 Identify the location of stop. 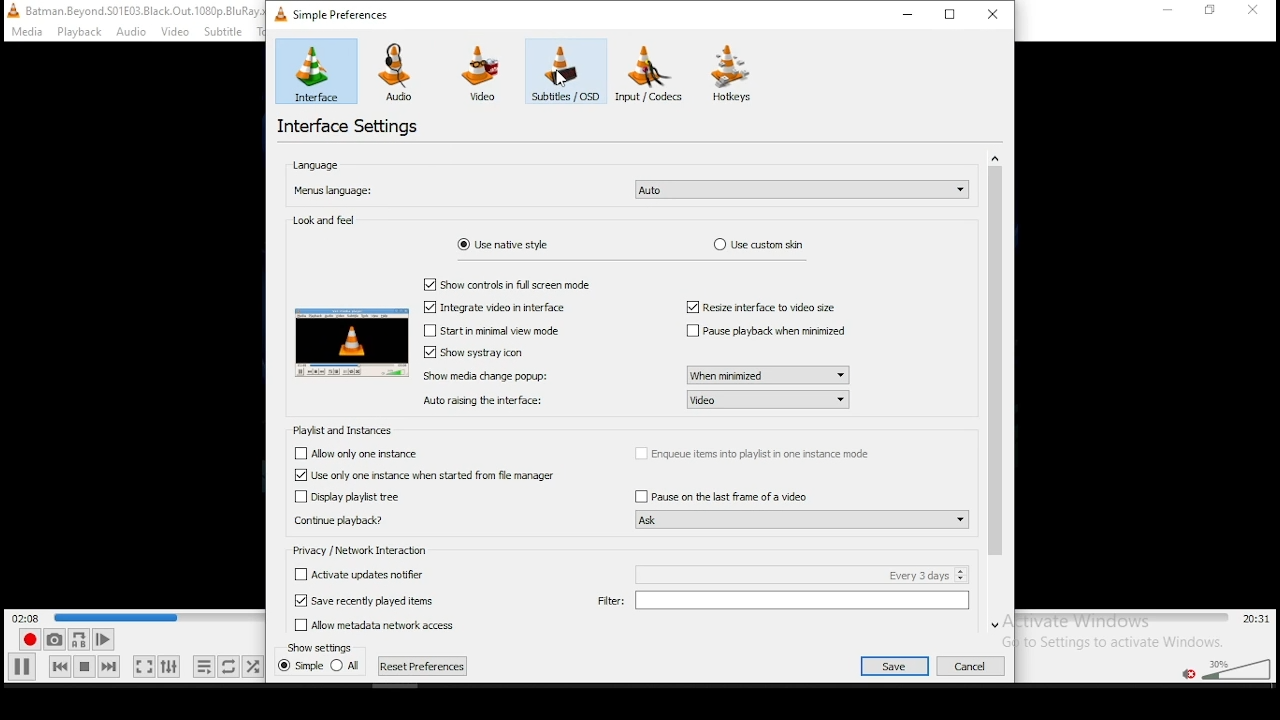
(84, 666).